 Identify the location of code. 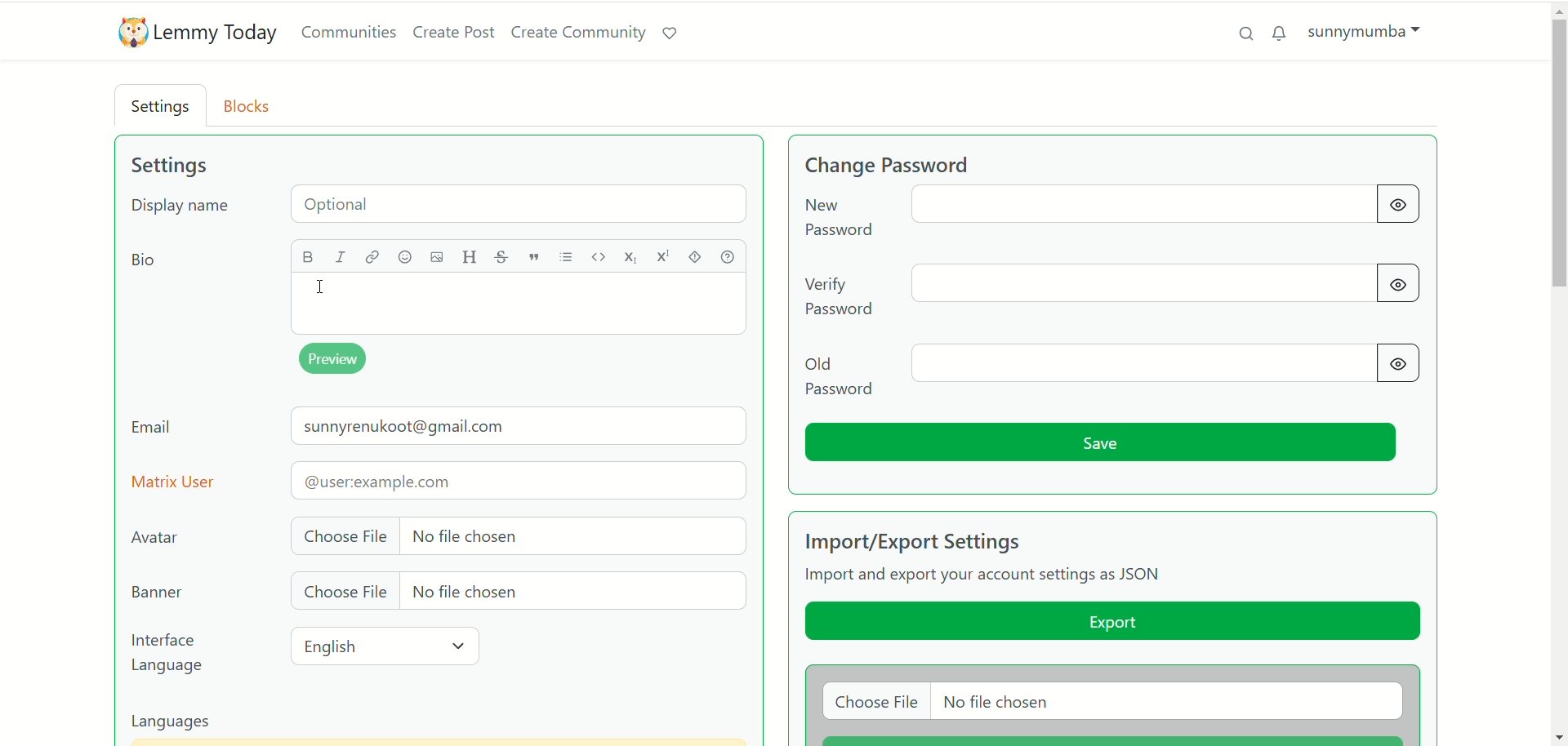
(600, 255).